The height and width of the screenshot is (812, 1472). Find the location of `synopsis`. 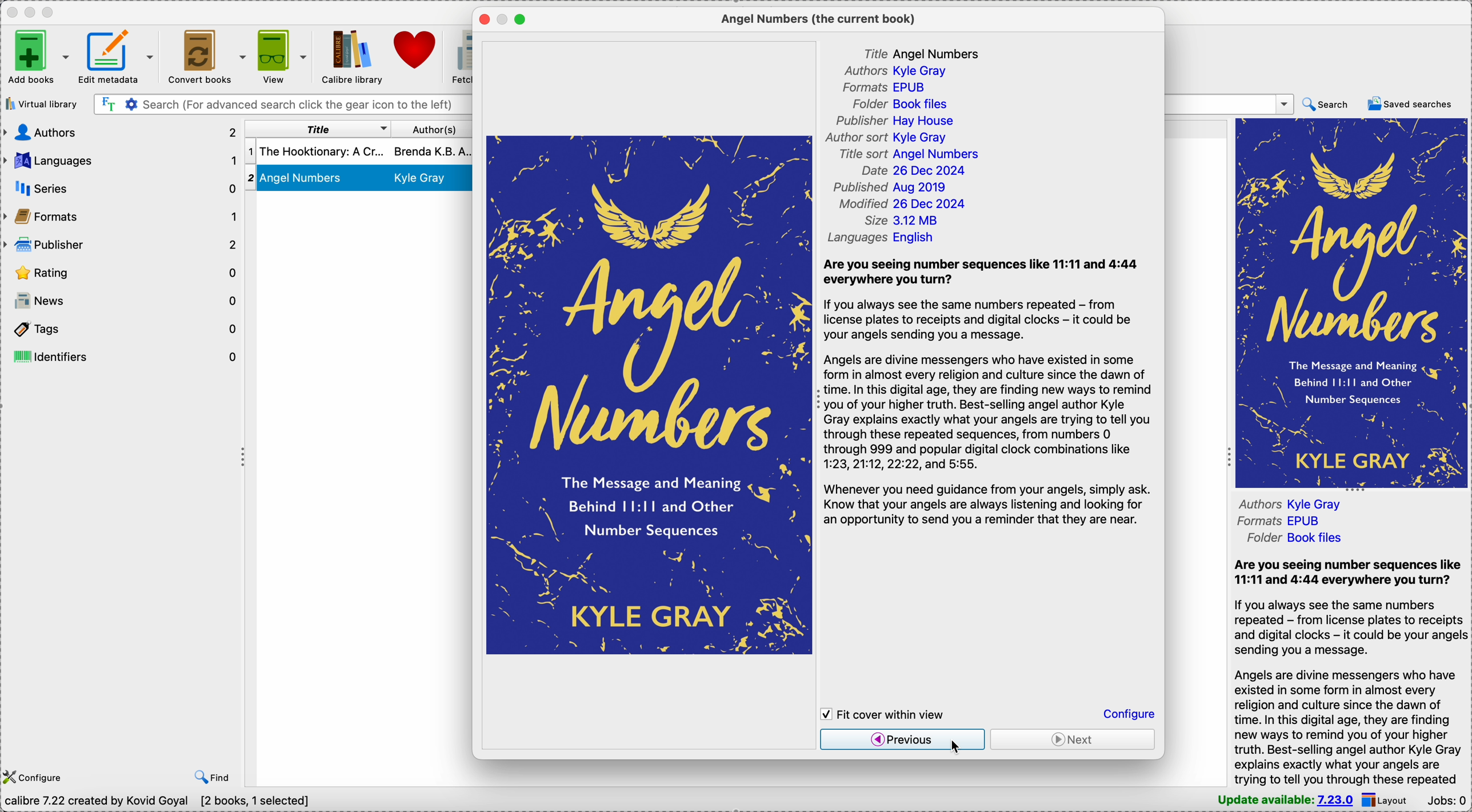

synopsis is located at coordinates (991, 393).